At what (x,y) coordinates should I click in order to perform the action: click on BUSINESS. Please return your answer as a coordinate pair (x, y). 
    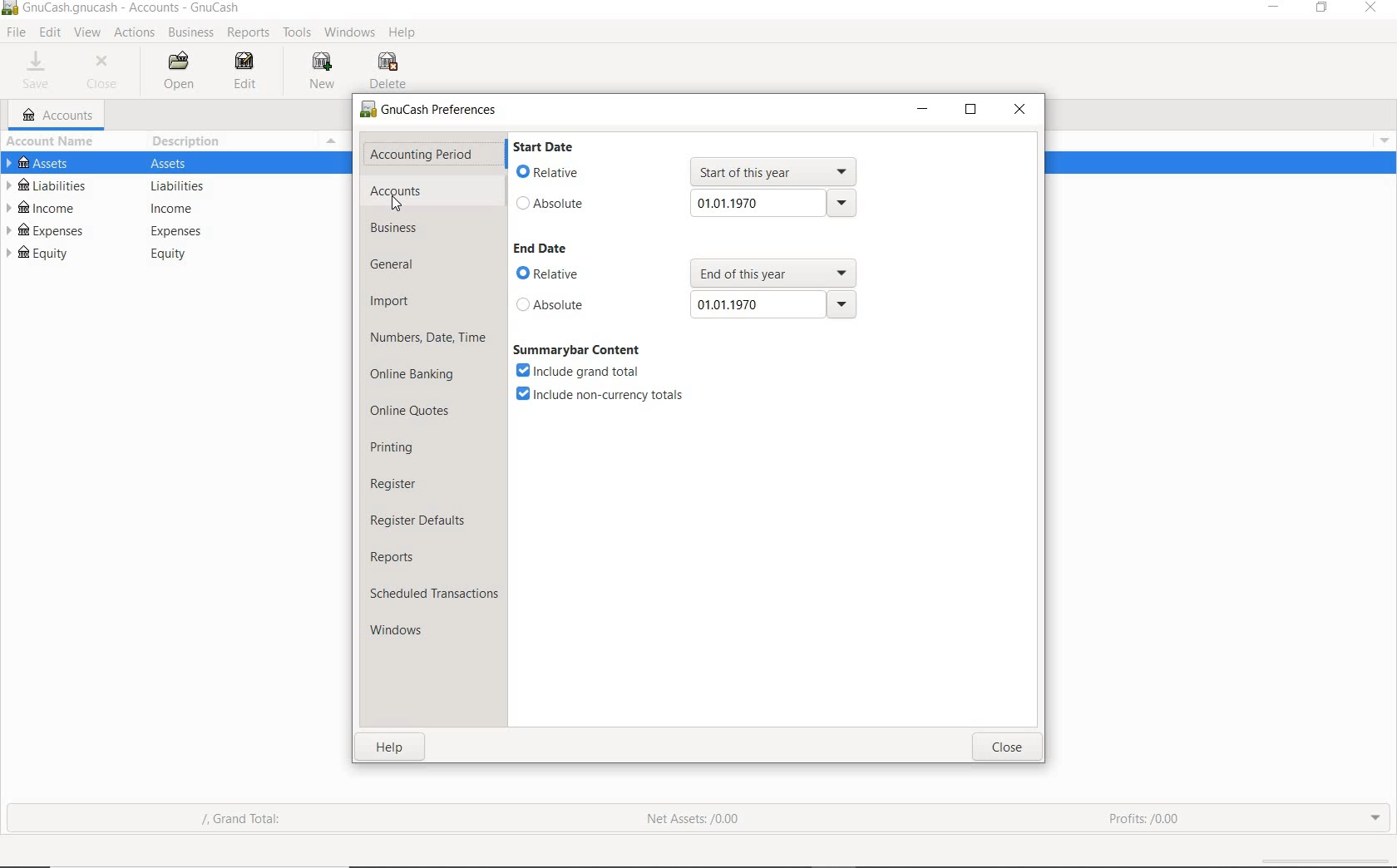
    Looking at the image, I should click on (192, 33).